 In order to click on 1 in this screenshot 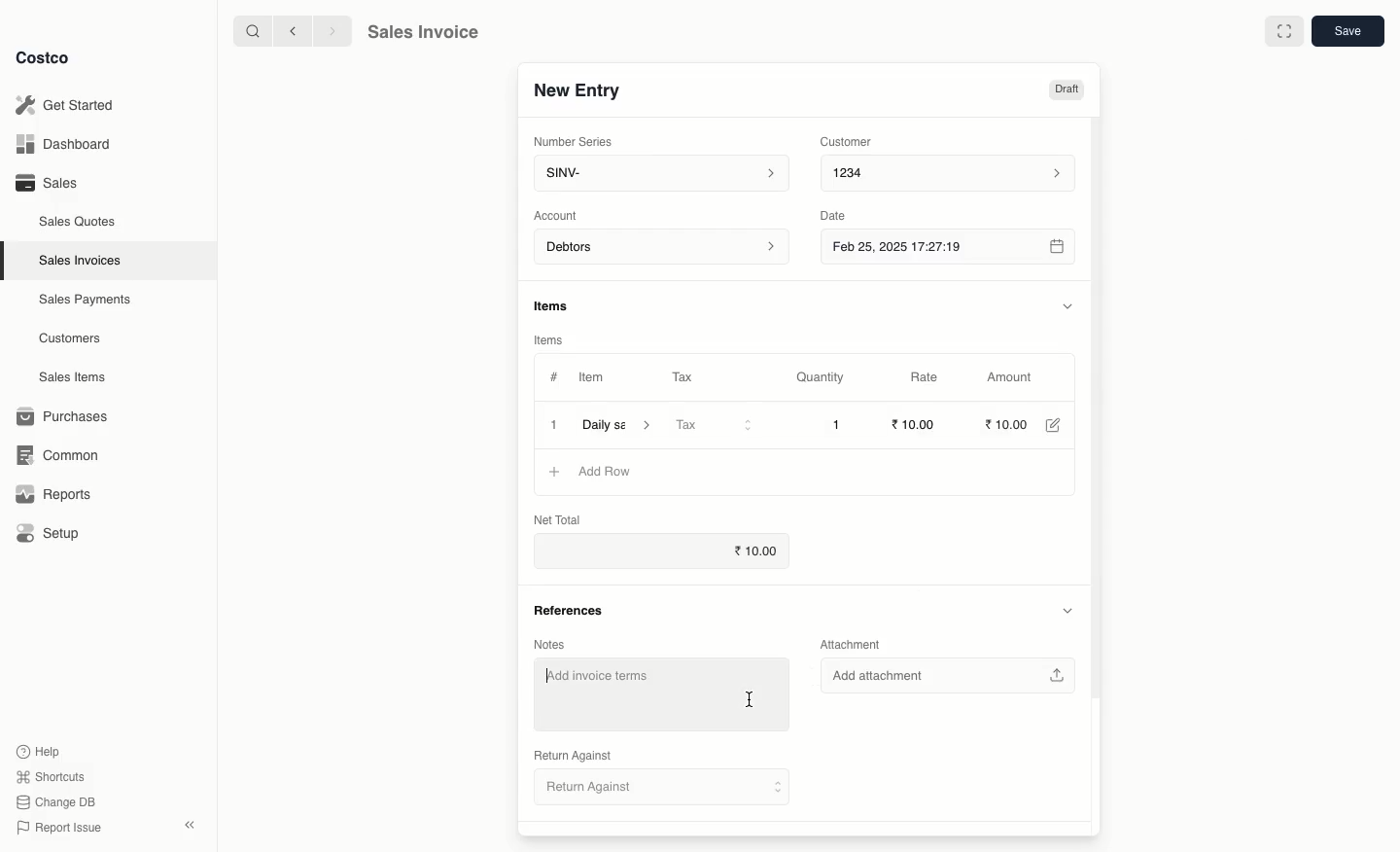, I will do `click(838, 425)`.